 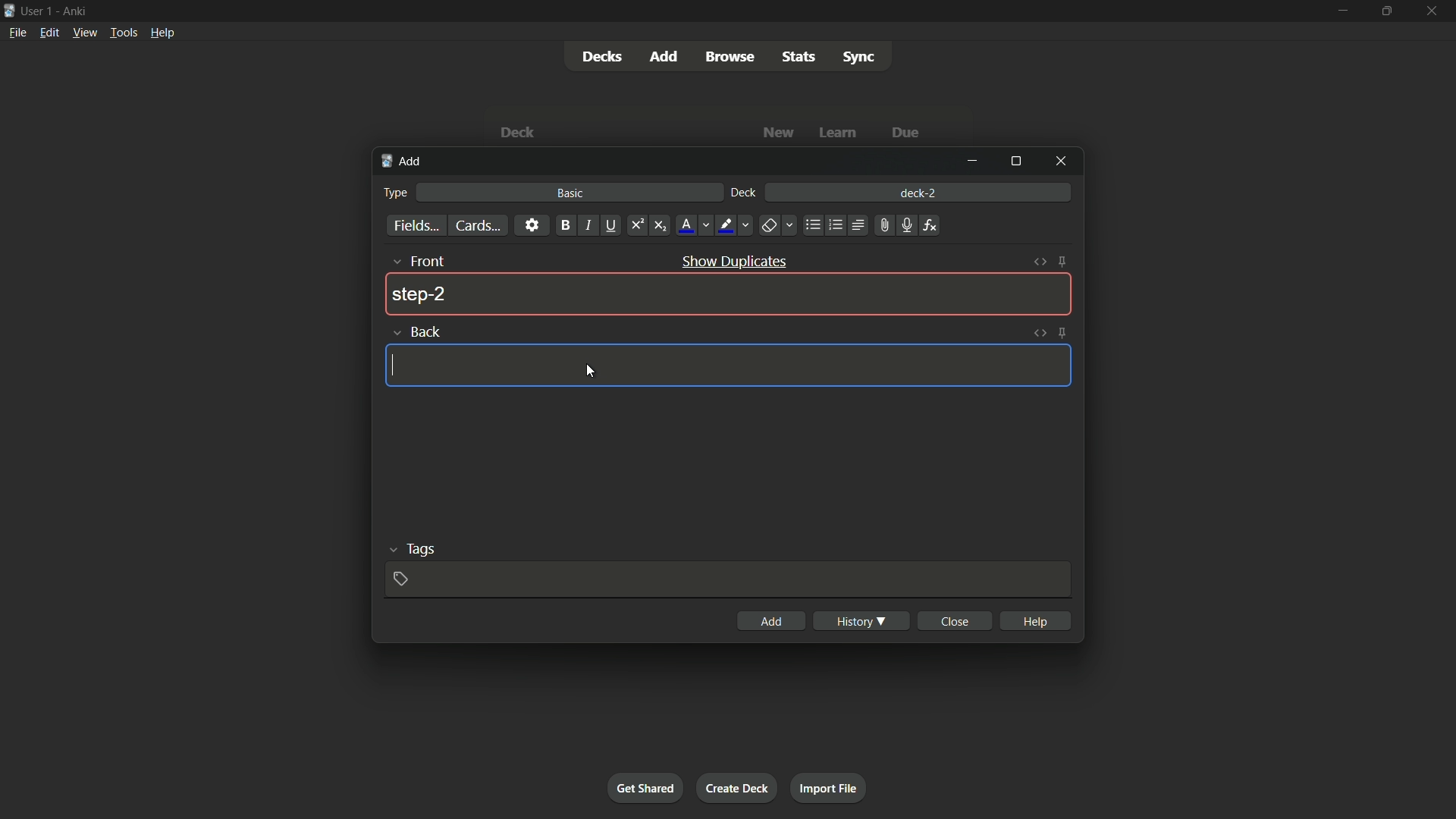 What do you see at coordinates (859, 224) in the screenshot?
I see `alignment` at bounding box center [859, 224].